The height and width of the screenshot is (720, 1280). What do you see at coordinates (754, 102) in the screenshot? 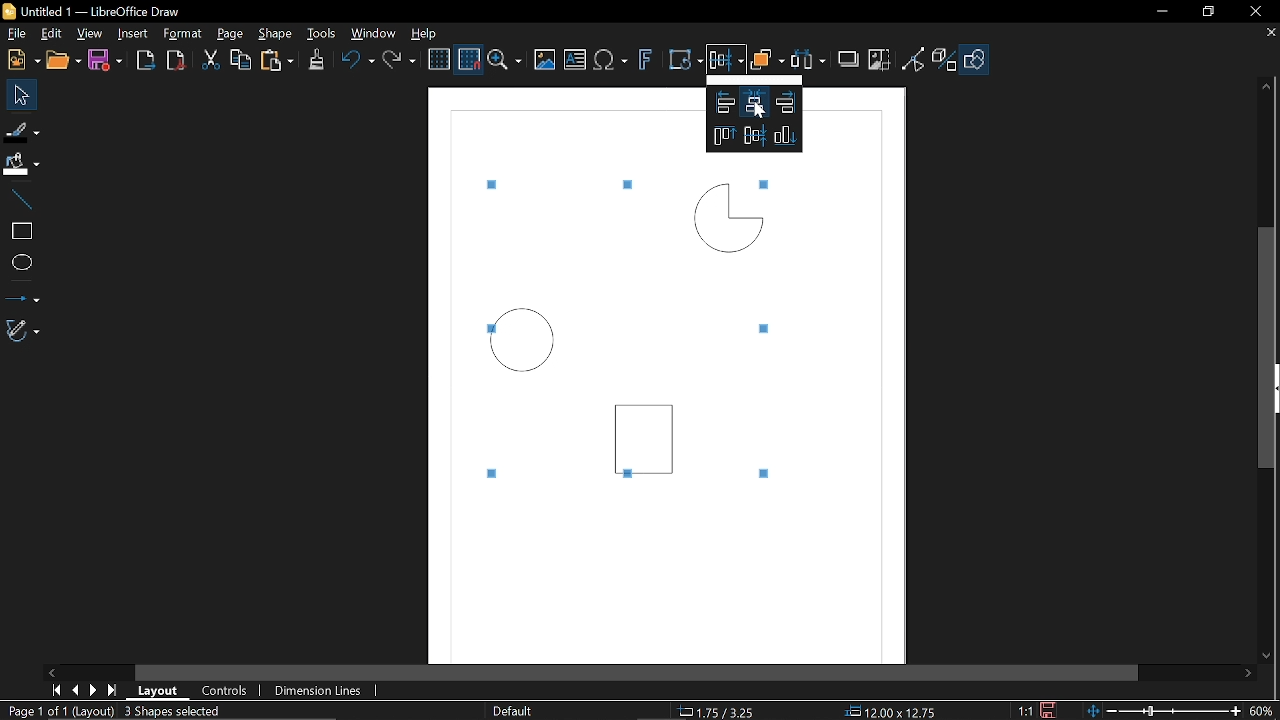
I see `Align vertically` at bounding box center [754, 102].